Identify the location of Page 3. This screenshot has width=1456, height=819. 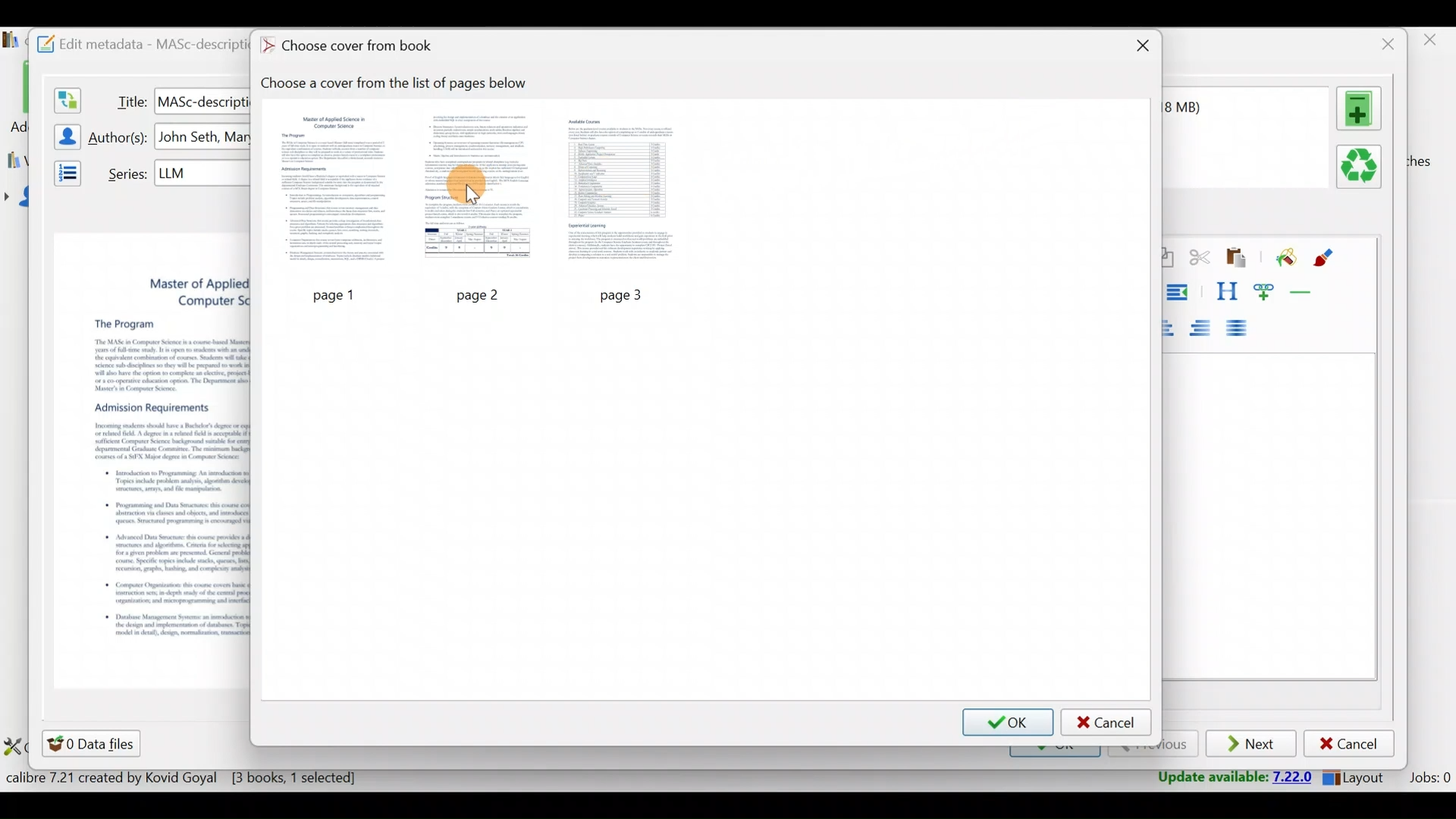
(624, 190).